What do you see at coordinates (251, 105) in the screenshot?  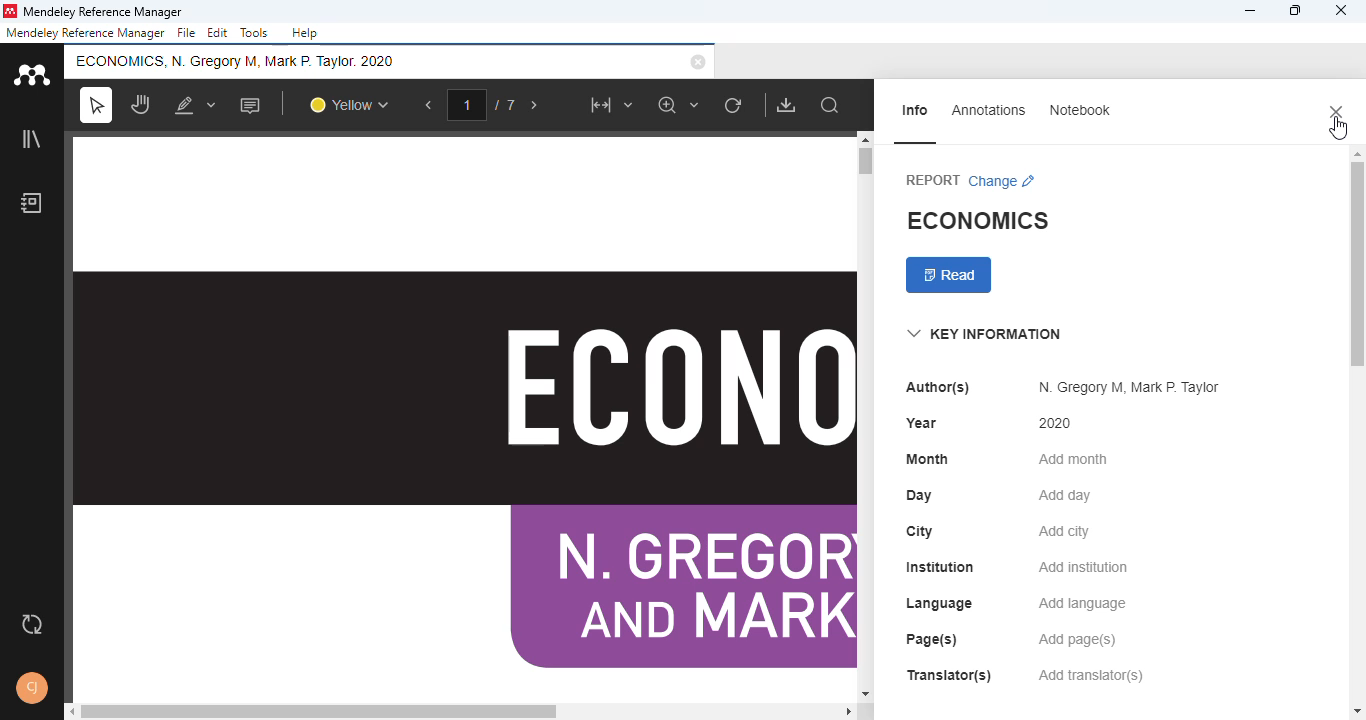 I see `sticky note` at bounding box center [251, 105].